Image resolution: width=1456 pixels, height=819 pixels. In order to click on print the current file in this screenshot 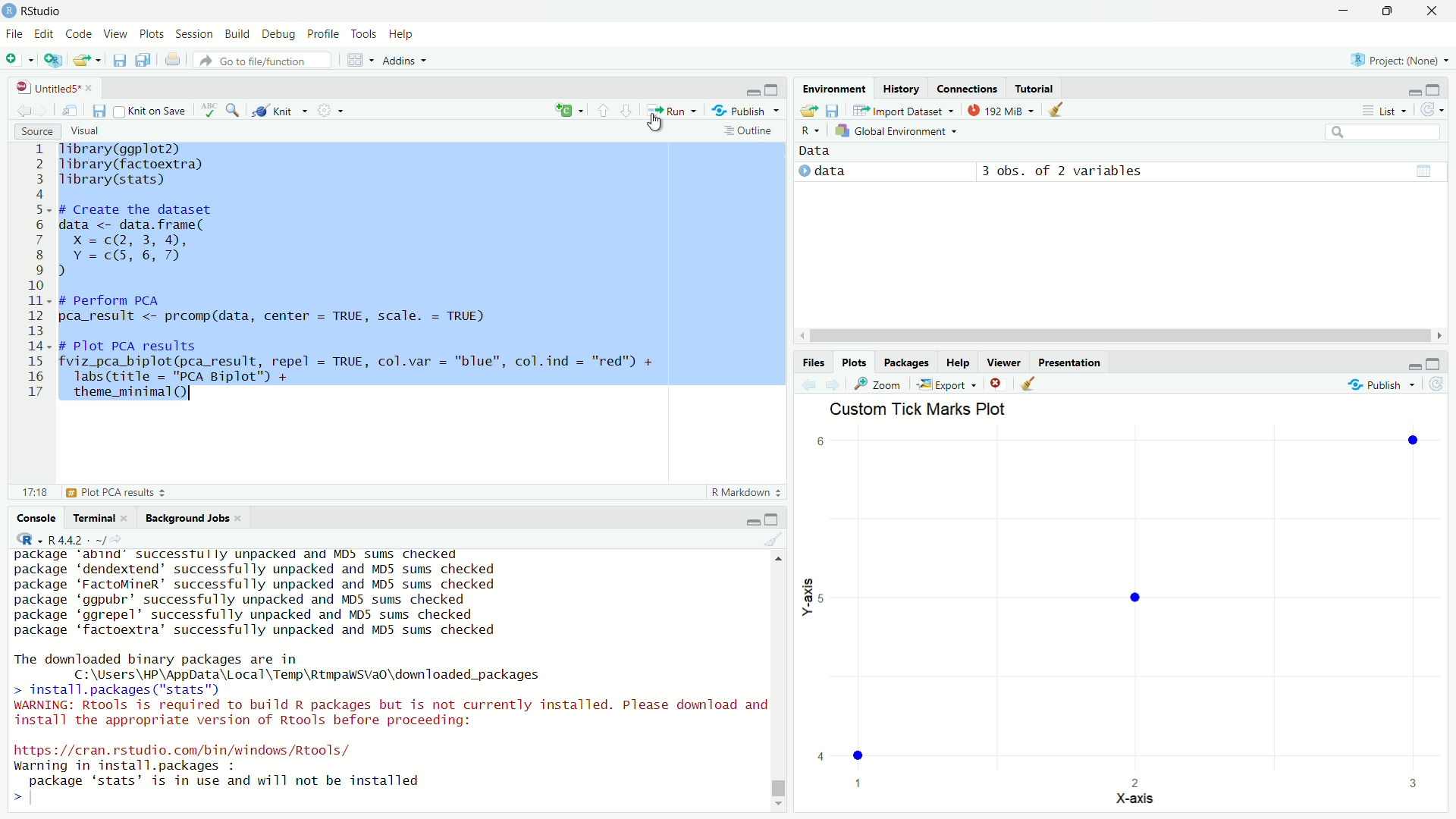, I will do `click(174, 60)`.